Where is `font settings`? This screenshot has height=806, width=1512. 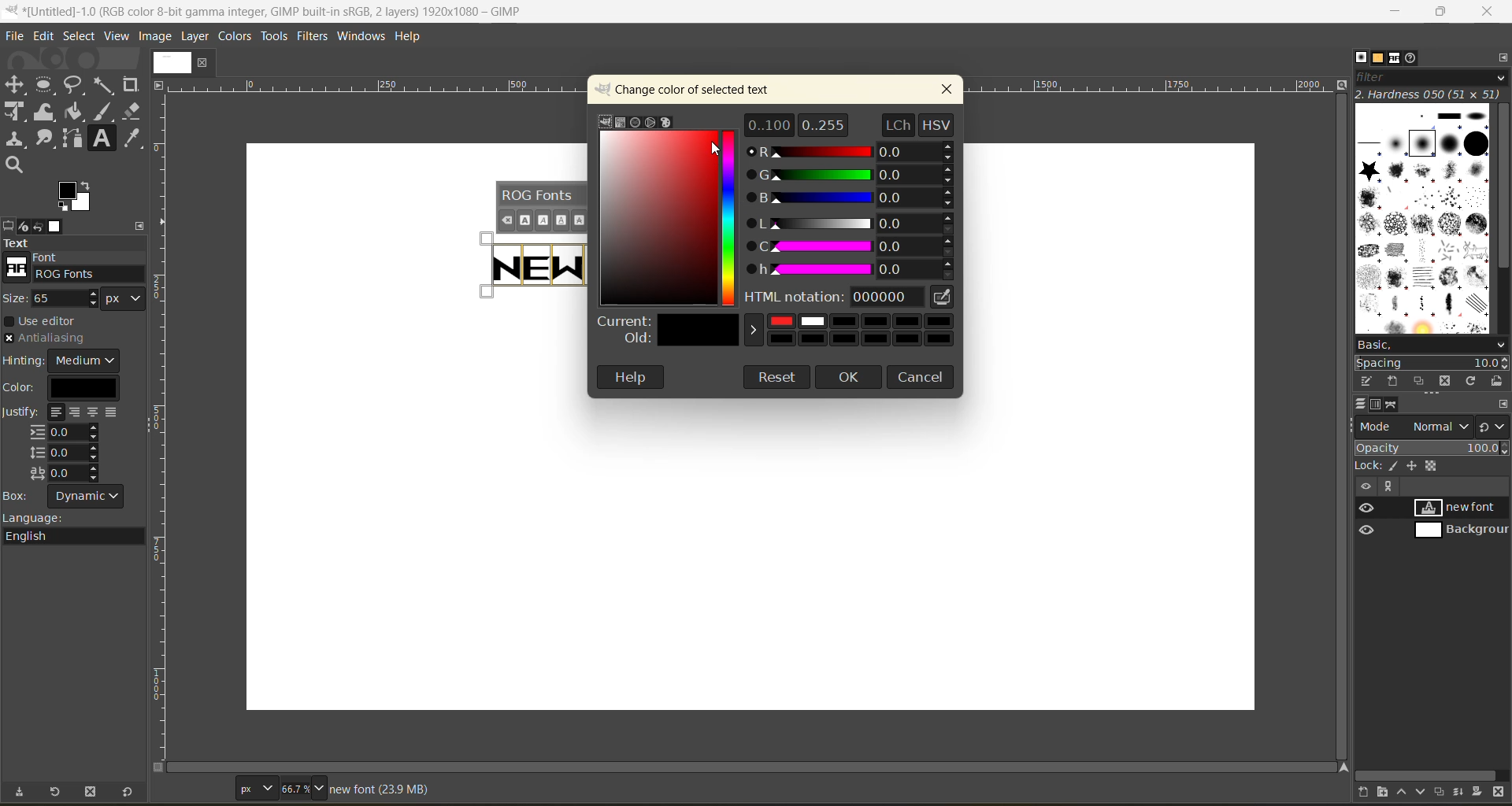 font settings is located at coordinates (541, 207).